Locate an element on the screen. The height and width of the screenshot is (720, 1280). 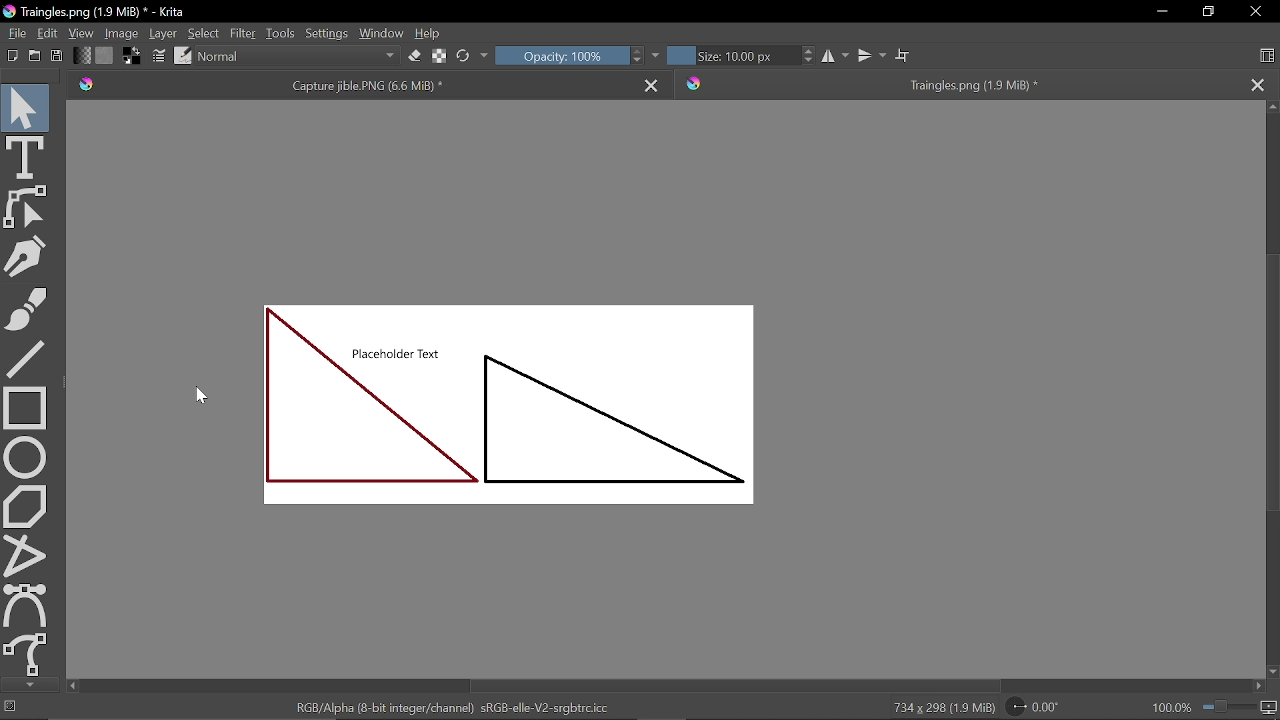
Wrap around mode is located at coordinates (905, 57).